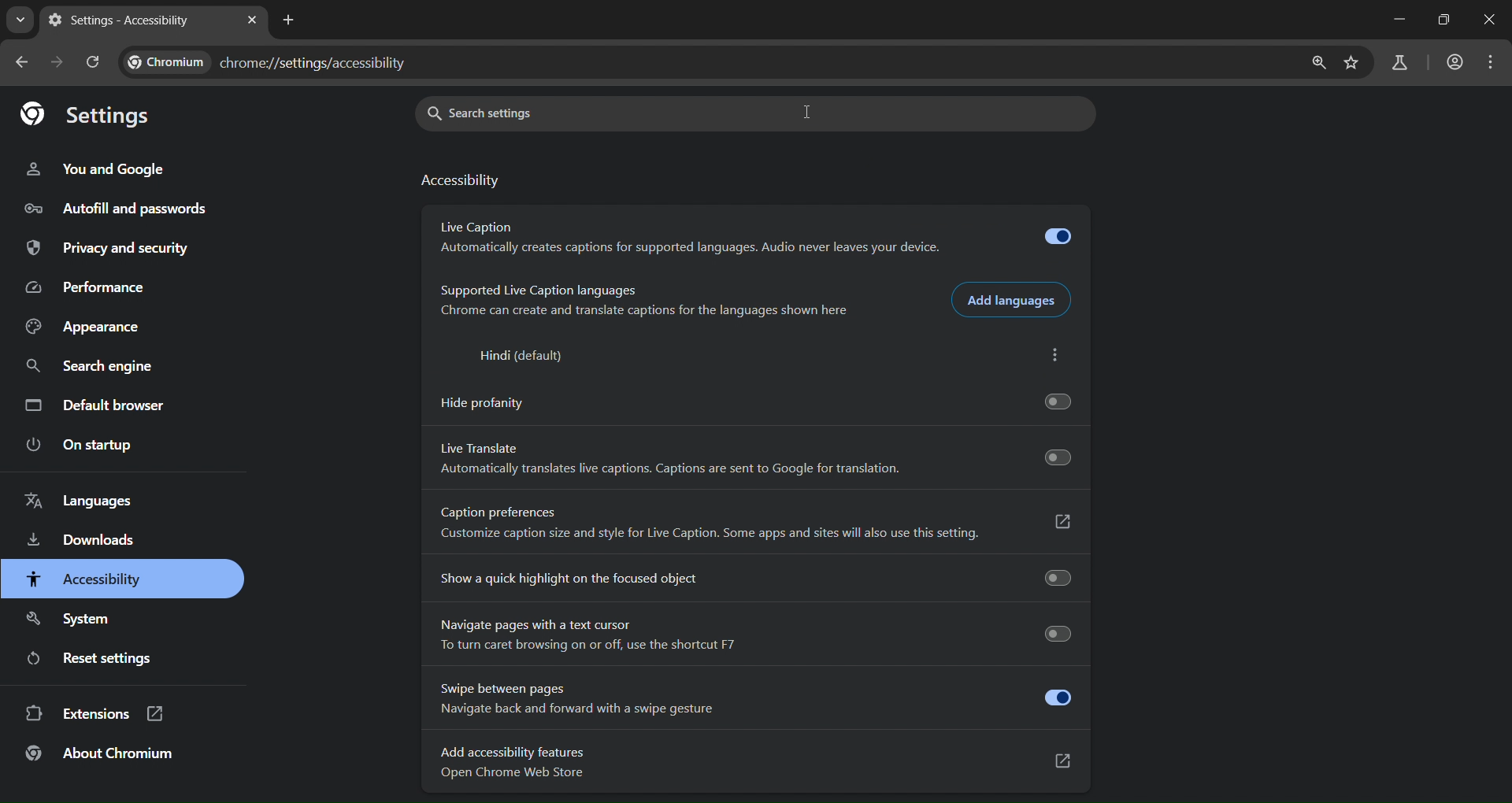 The width and height of the screenshot is (1512, 803). What do you see at coordinates (1062, 357) in the screenshot?
I see `more actions` at bounding box center [1062, 357].